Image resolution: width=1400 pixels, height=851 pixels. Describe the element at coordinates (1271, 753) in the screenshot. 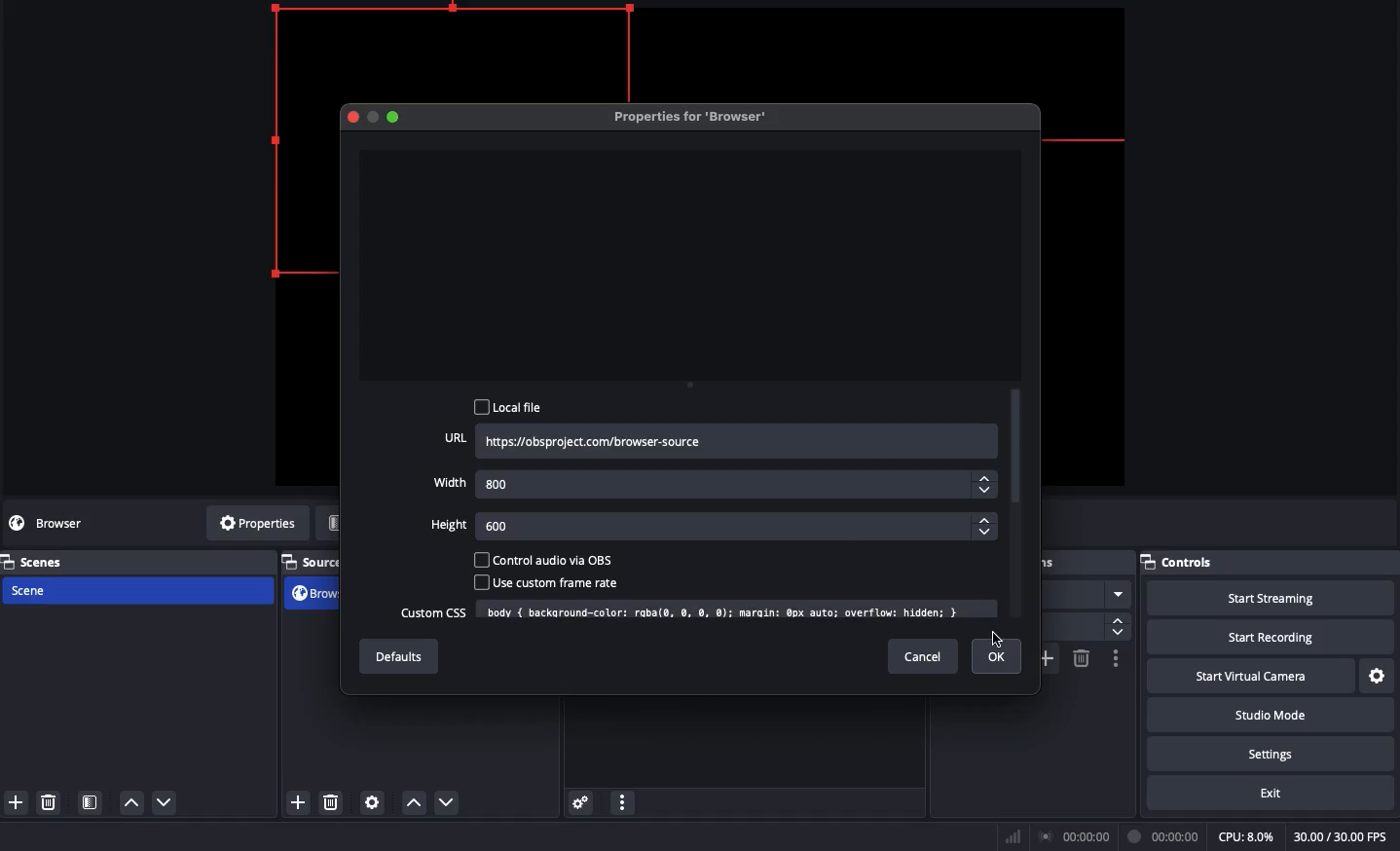

I see `Settings` at that location.